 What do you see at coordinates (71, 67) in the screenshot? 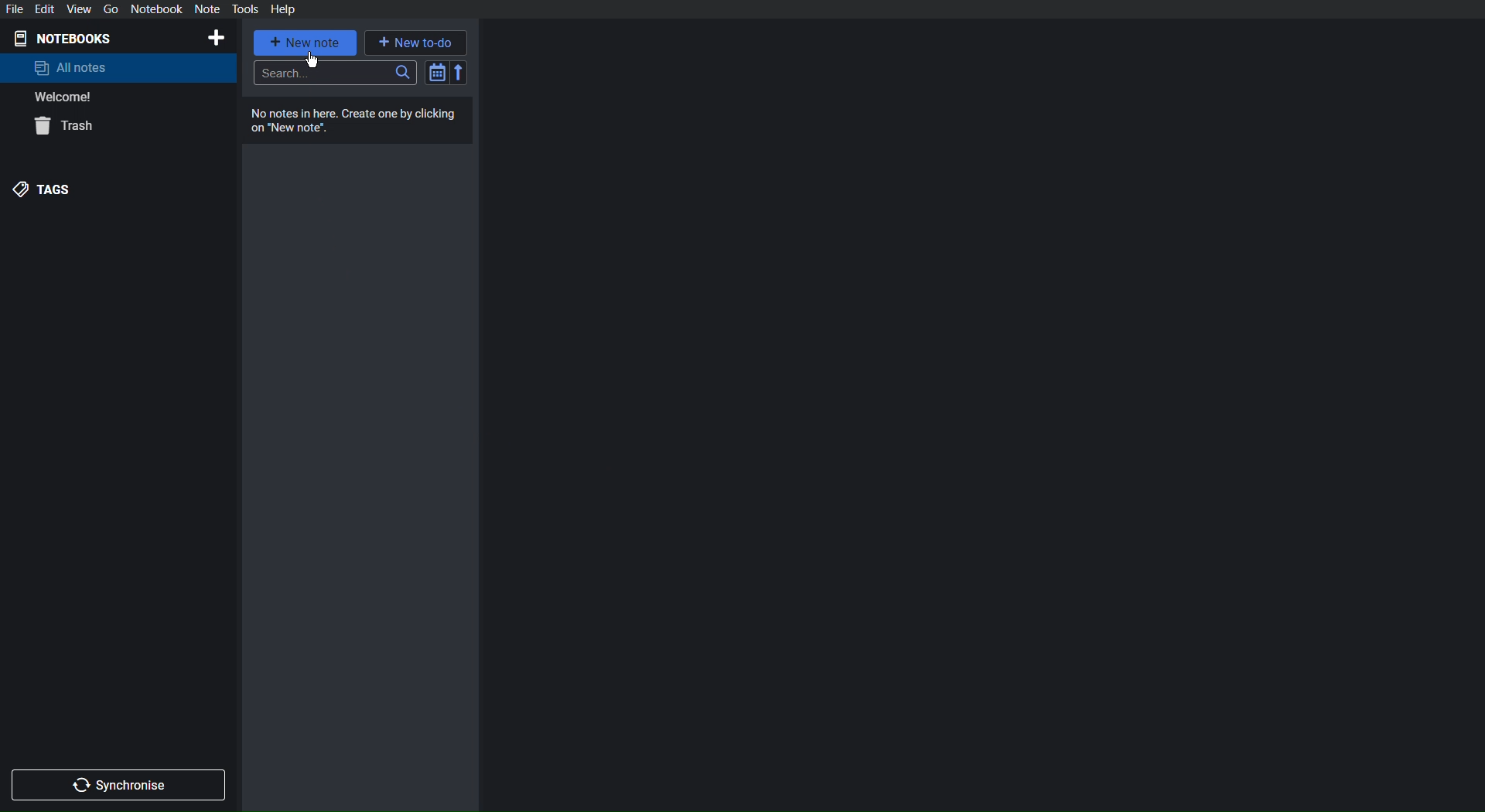
I see `All notes` at bounding box center [71, 67].